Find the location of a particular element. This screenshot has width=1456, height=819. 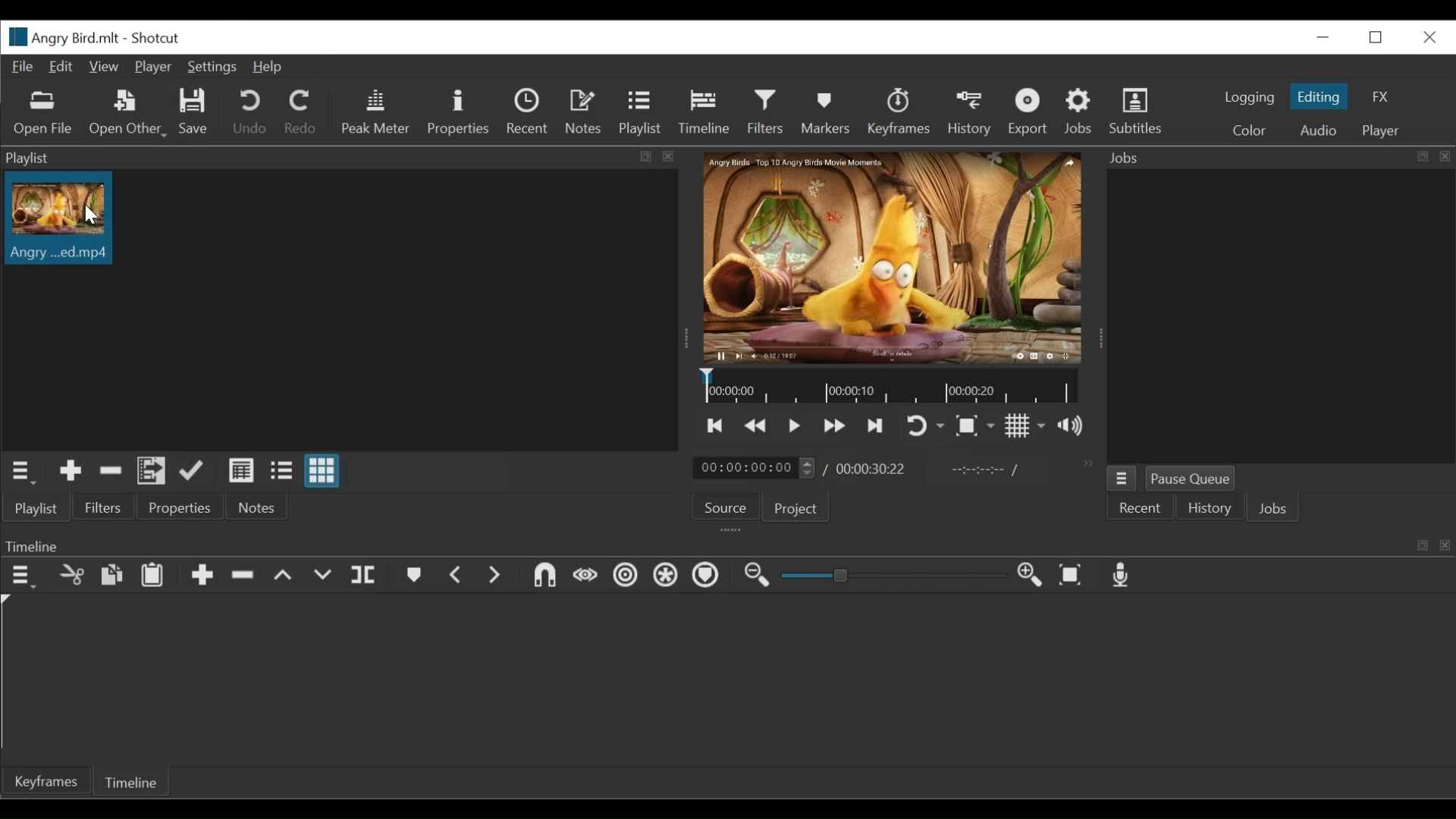

overwrite is located at coordinates (322, 577).